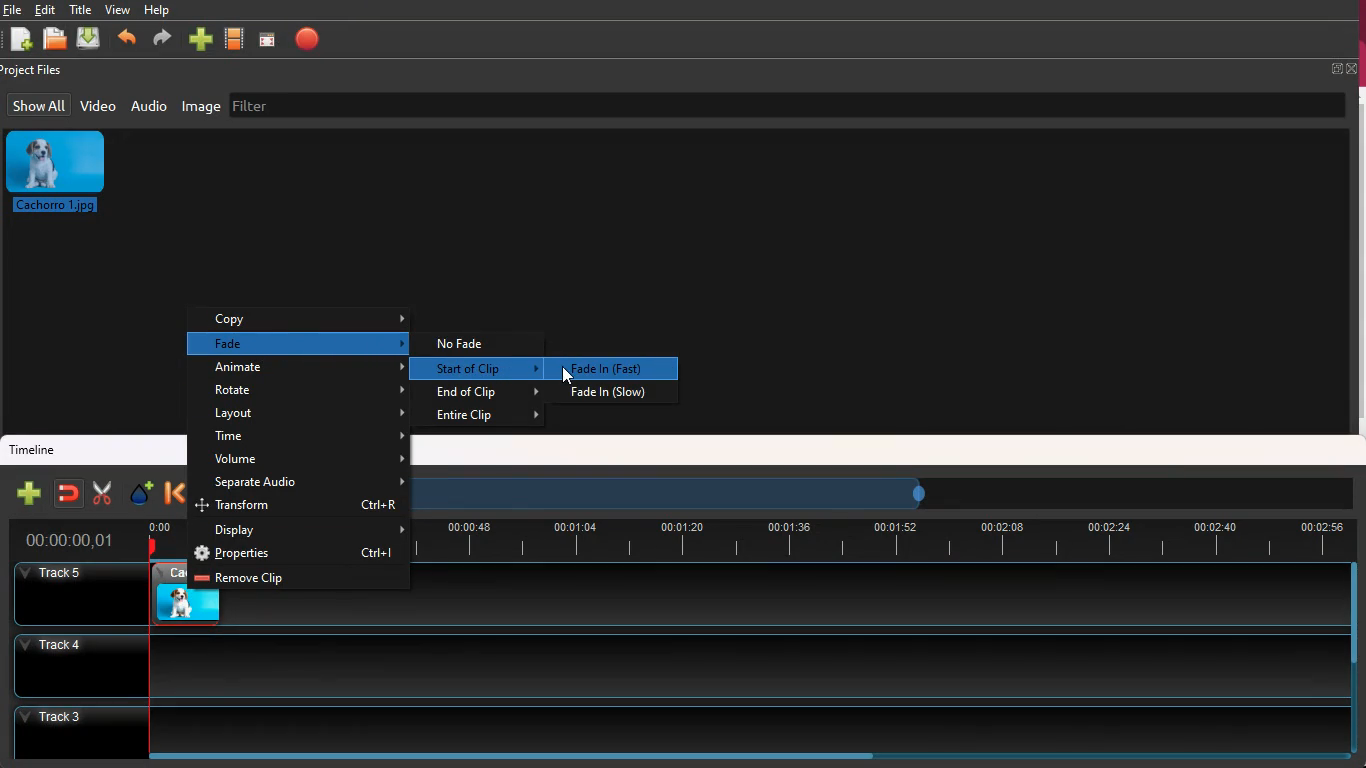 This screenshot has width=1366, height=768. What do you see at coordinates (296, 579) in the screenshot?
I see `remove clip` at bounding box center [296, 579].